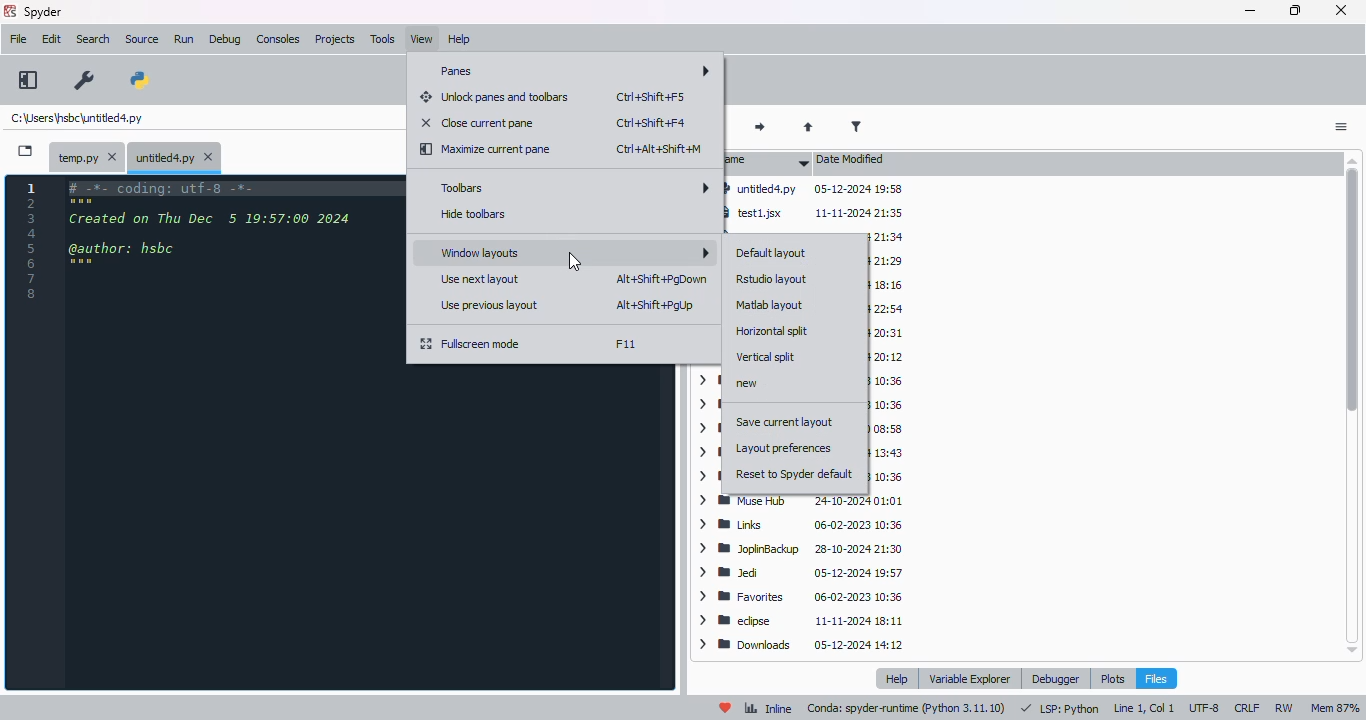 This screenshot has width=1366, height=720. Describe the element at coordinates (278, 38) in the screenshot. I see `consoles` at that location.